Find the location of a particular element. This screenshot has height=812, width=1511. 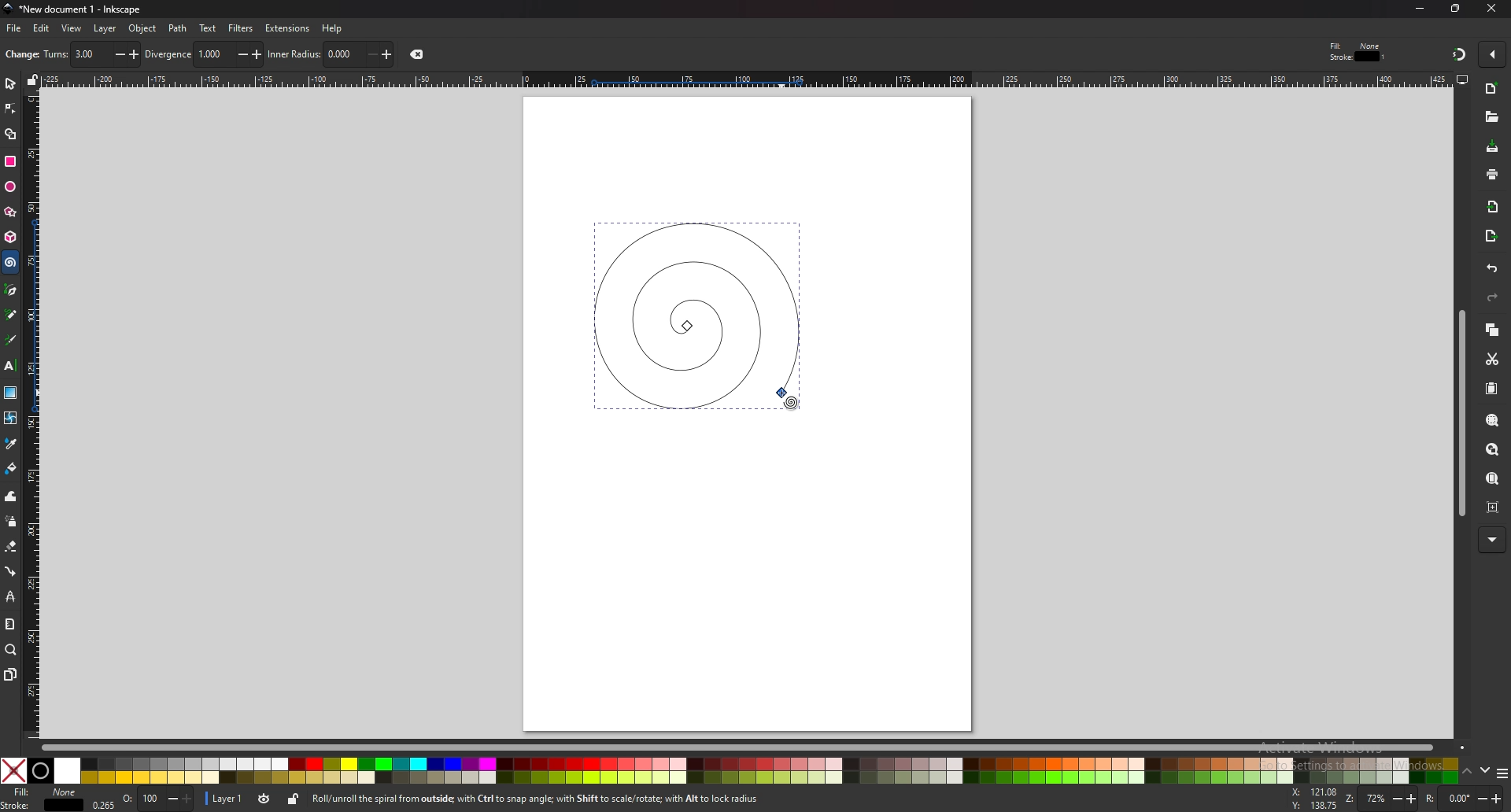

spiral is located at coordinates (11, 263).